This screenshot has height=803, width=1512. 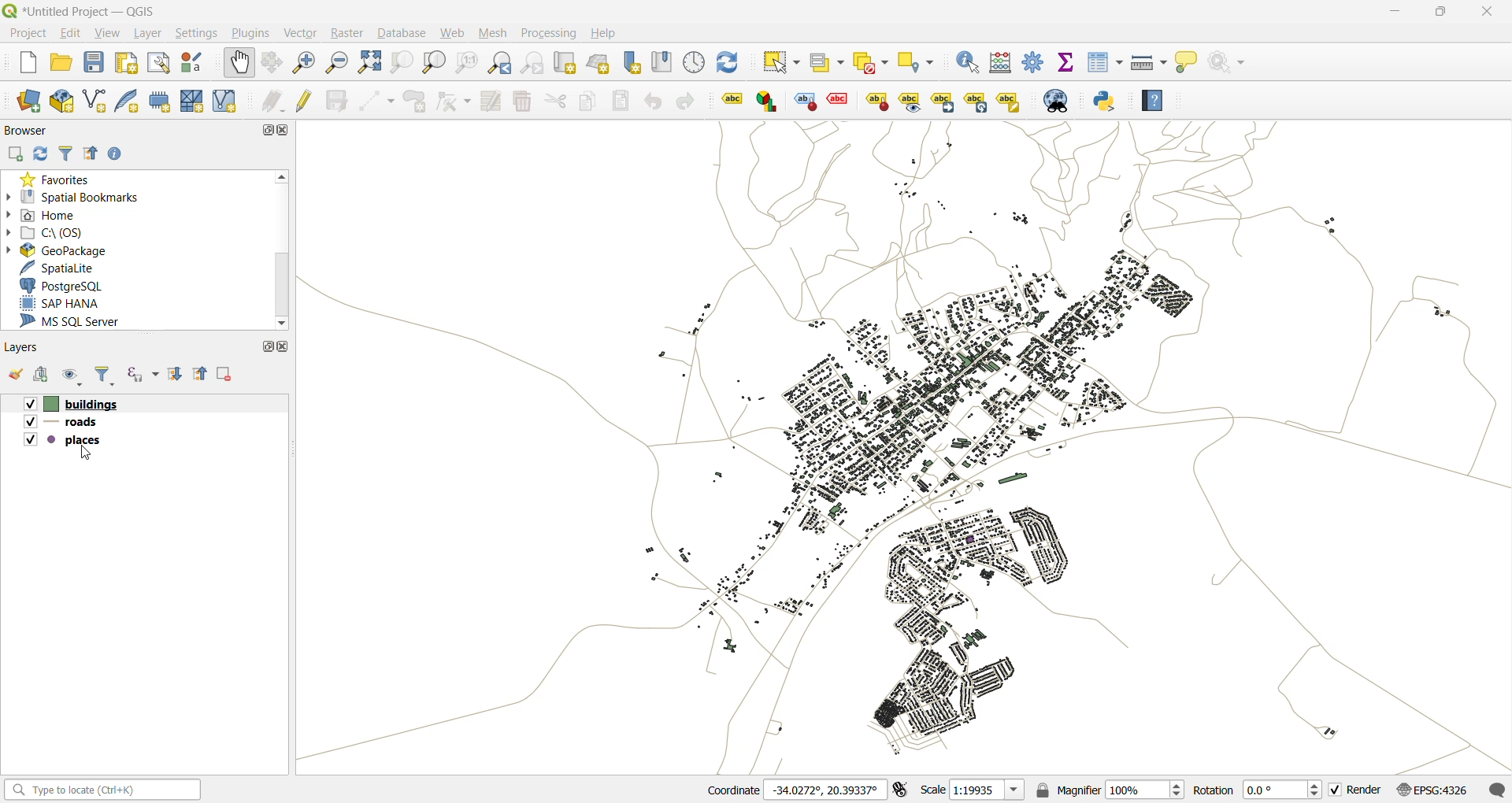 I want to click on open, so click(x=64, y=65).